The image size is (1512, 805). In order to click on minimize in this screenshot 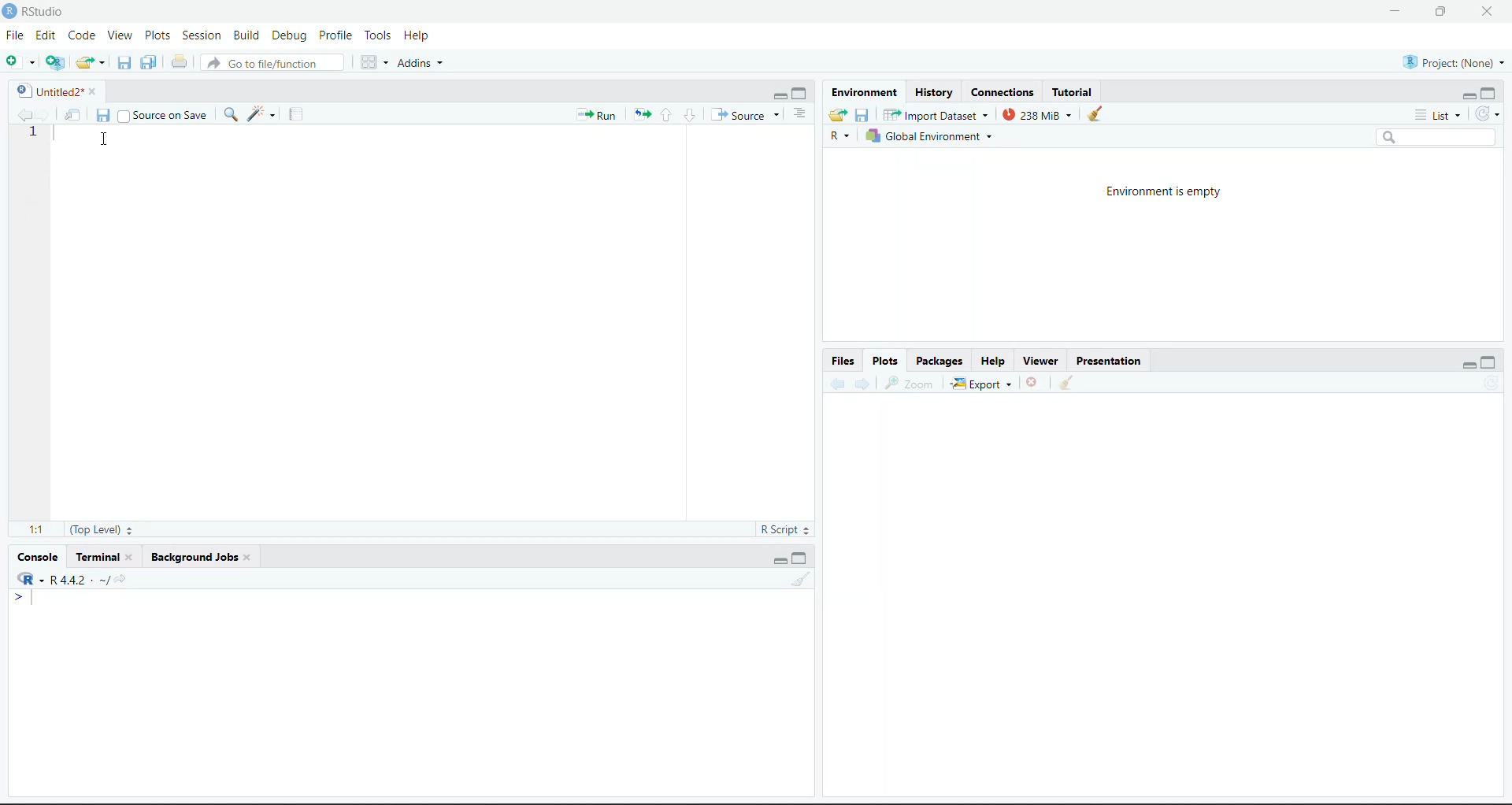, I will do `click(780, 561)`.